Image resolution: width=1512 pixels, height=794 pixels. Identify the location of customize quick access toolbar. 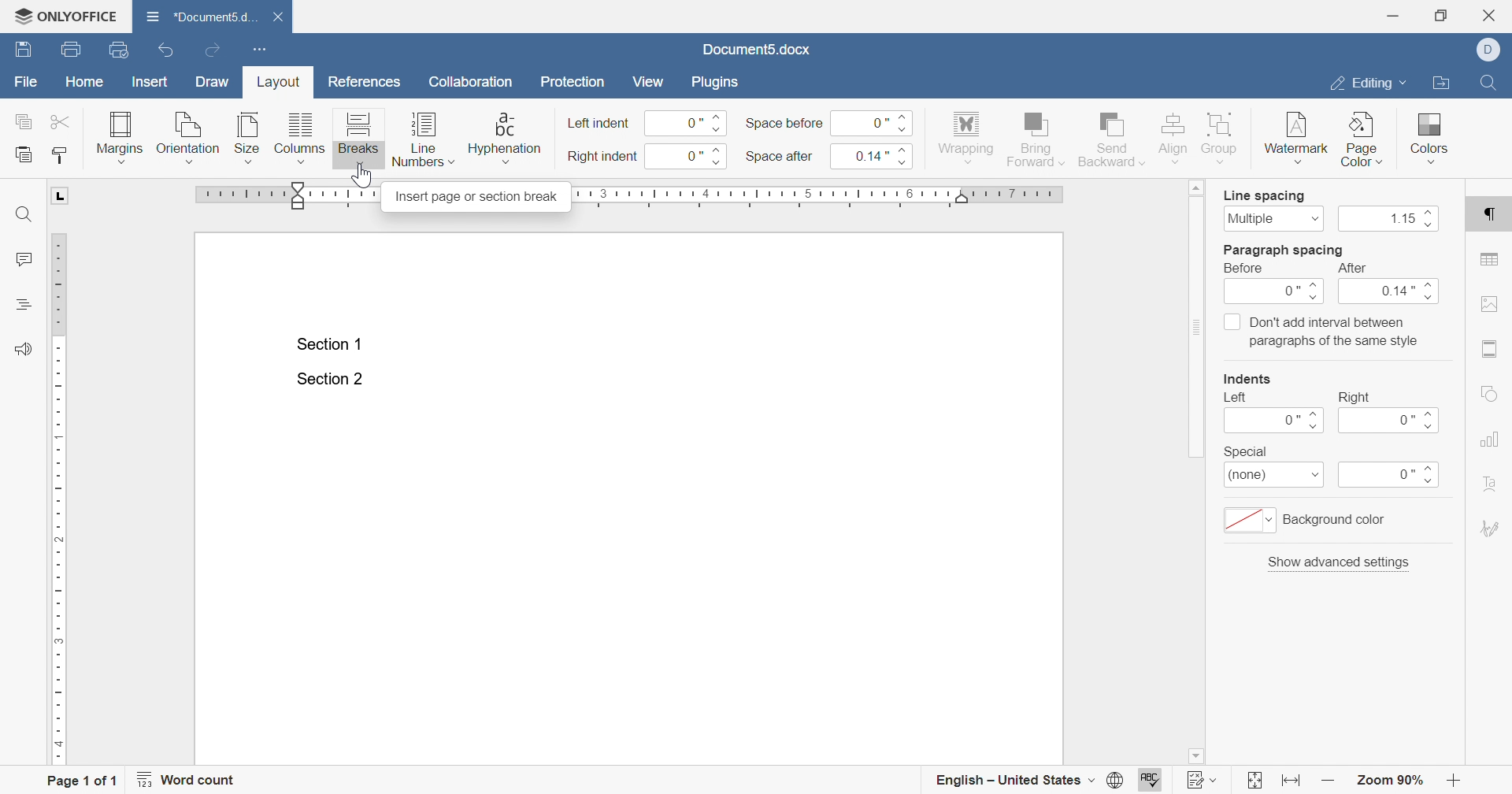
(262, 50).